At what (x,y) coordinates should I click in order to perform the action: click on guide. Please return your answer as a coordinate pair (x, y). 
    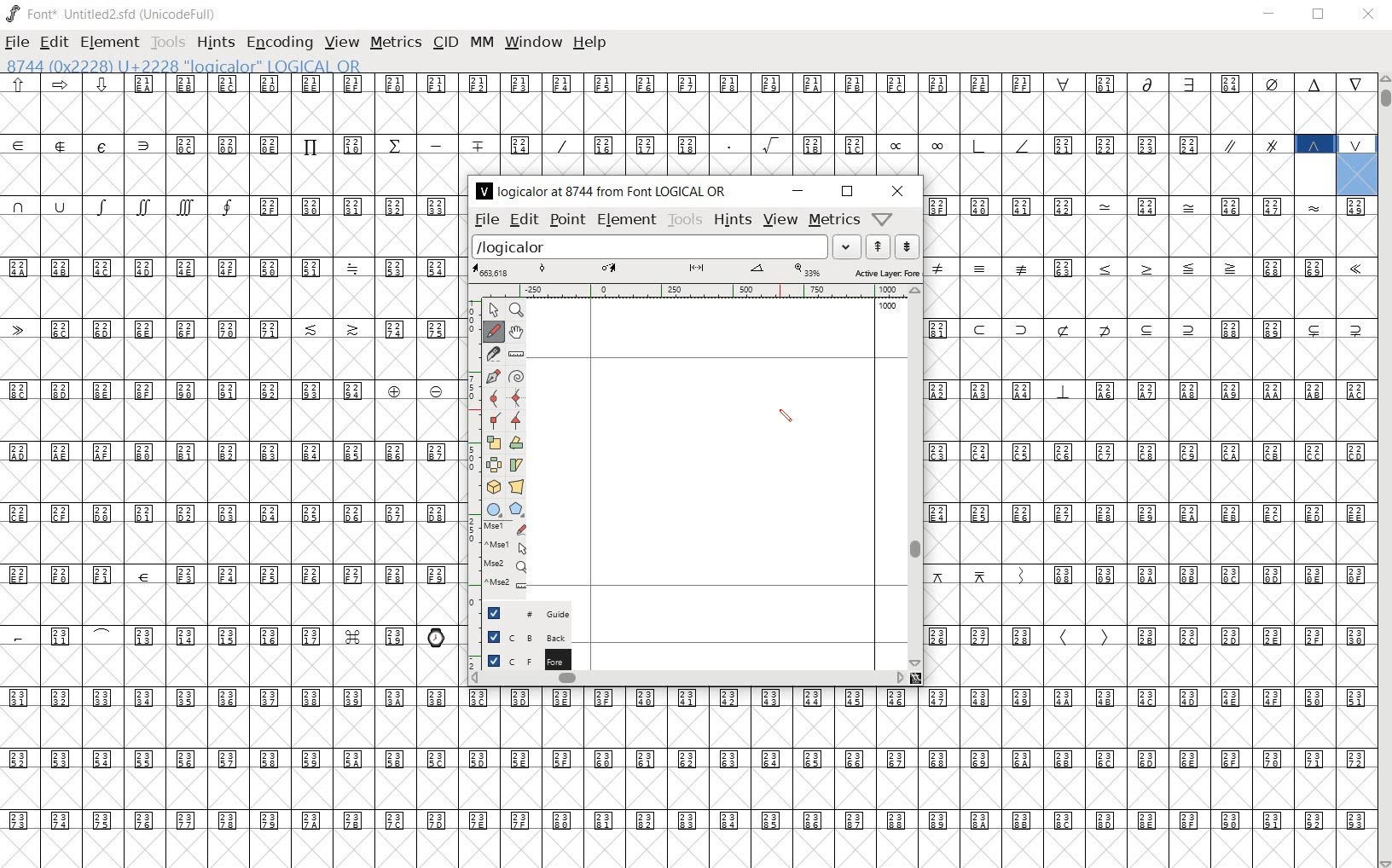
    Looking at the image, I should click on (519, 615).